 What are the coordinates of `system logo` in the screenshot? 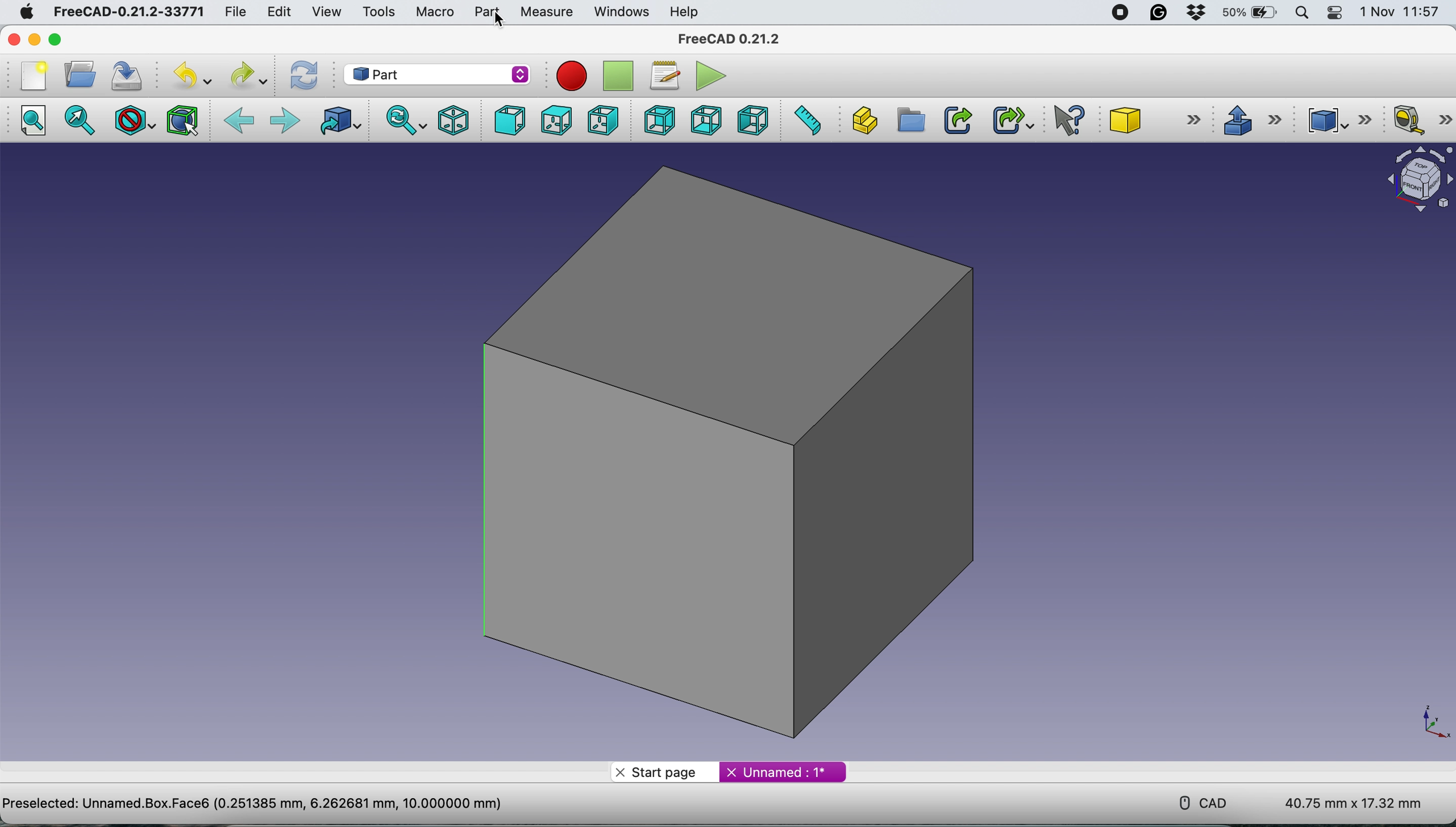 It's located at (26, 14).